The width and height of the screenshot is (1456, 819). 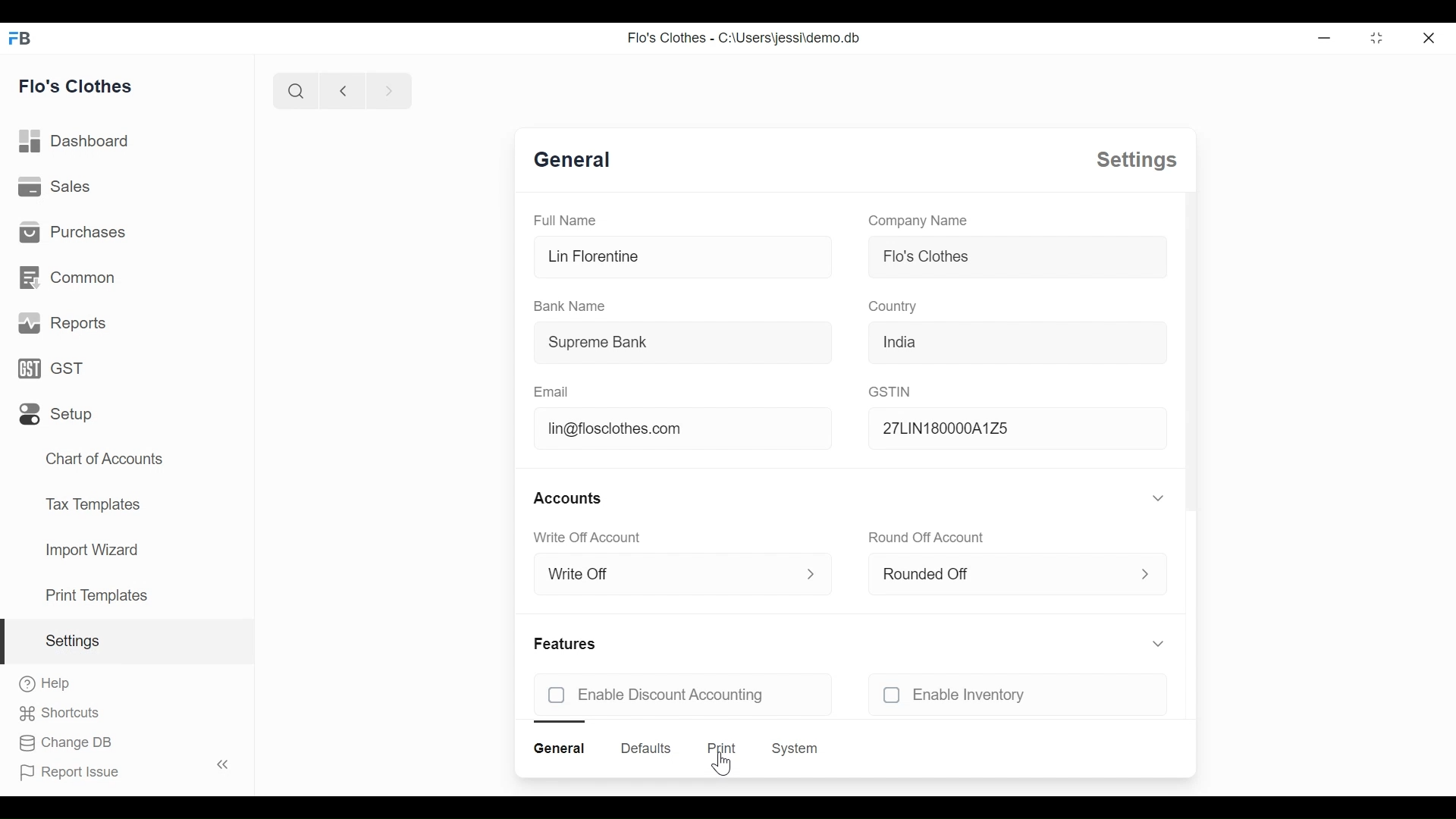 I want to click on account information, so click(x=812, y=574).